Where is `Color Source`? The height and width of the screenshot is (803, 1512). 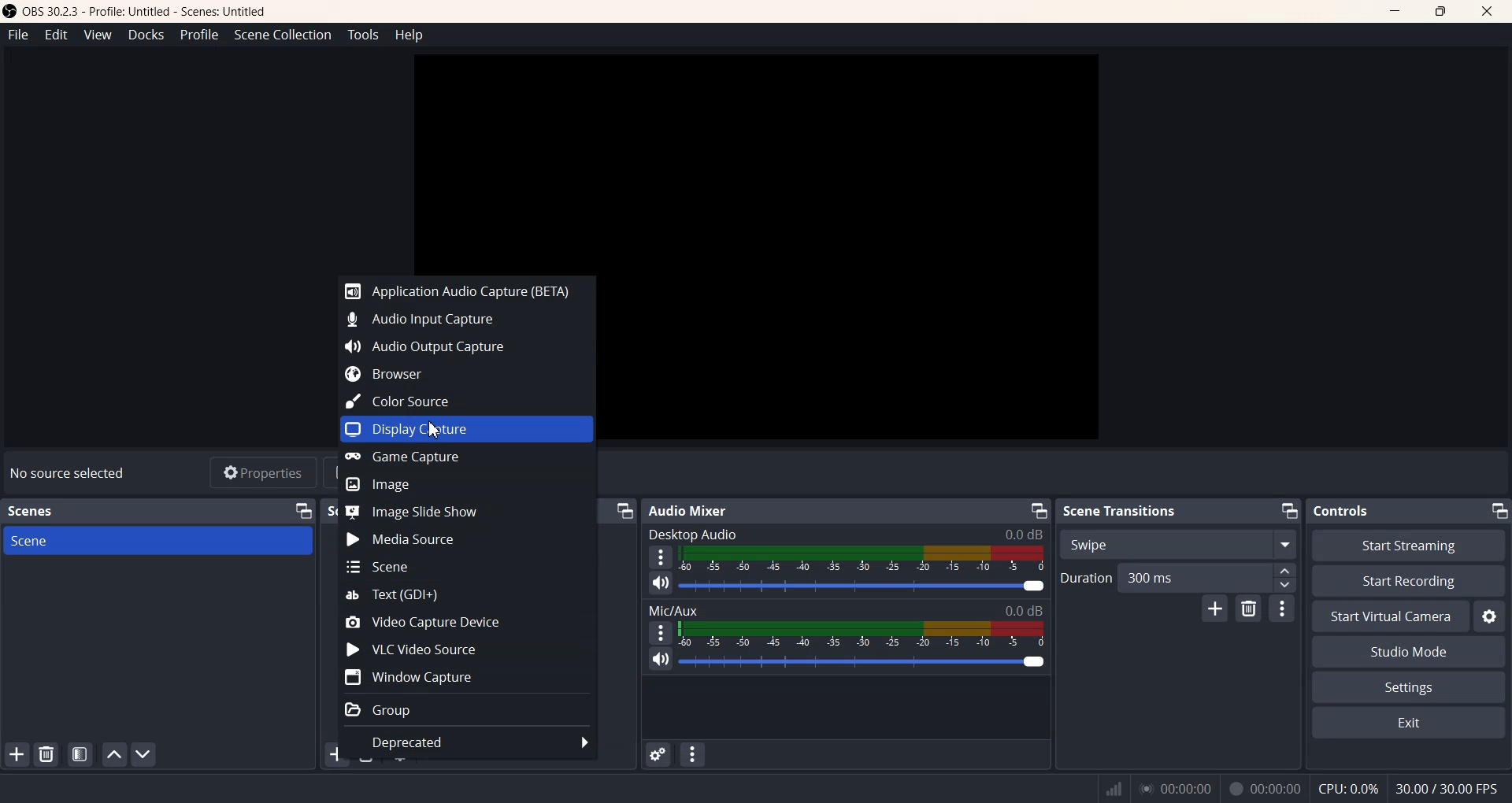
Color Source is located at coordinates (466, 401).